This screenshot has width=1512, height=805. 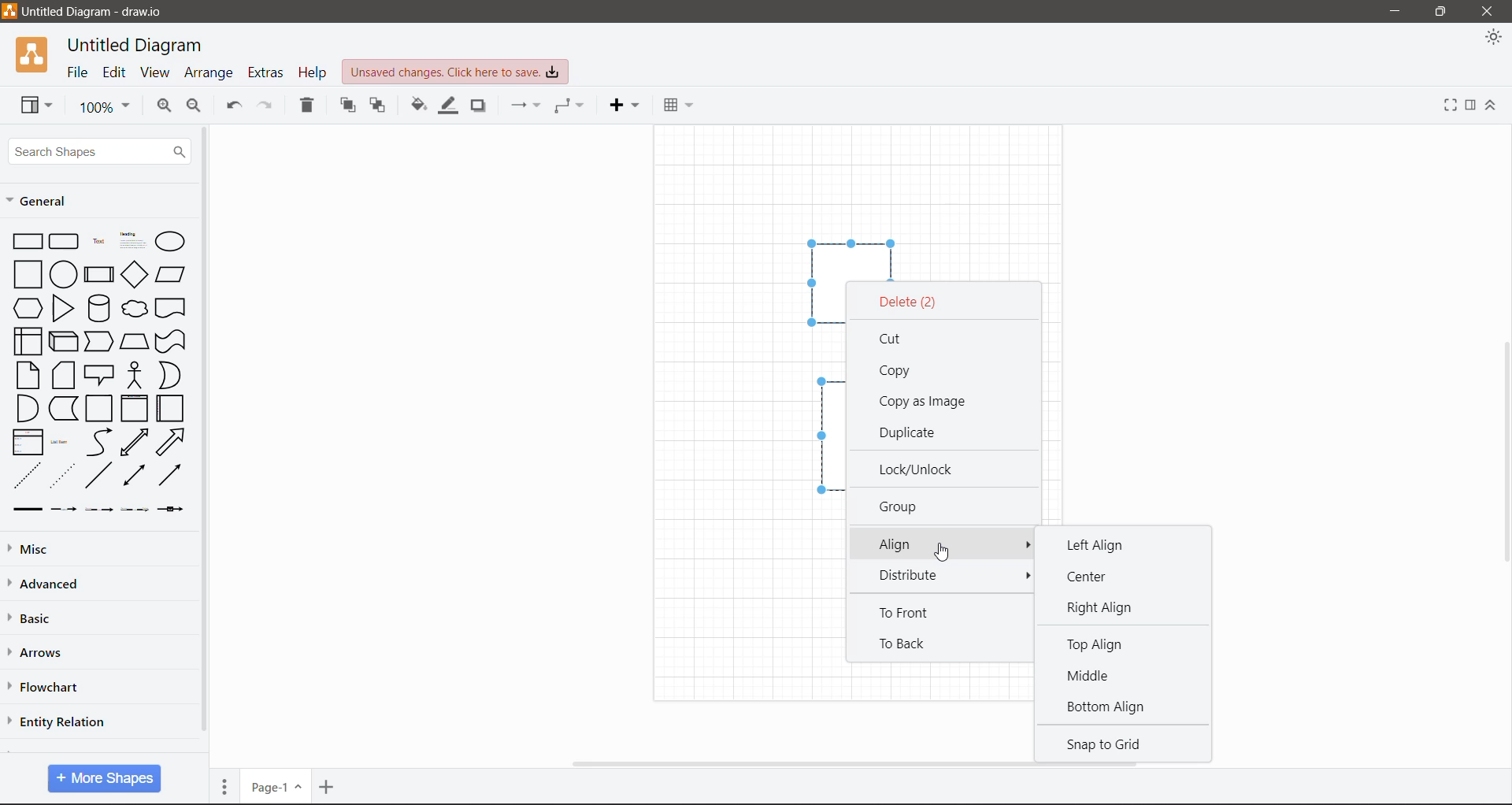 I want to click on Delete, so click(x=910, y=302).